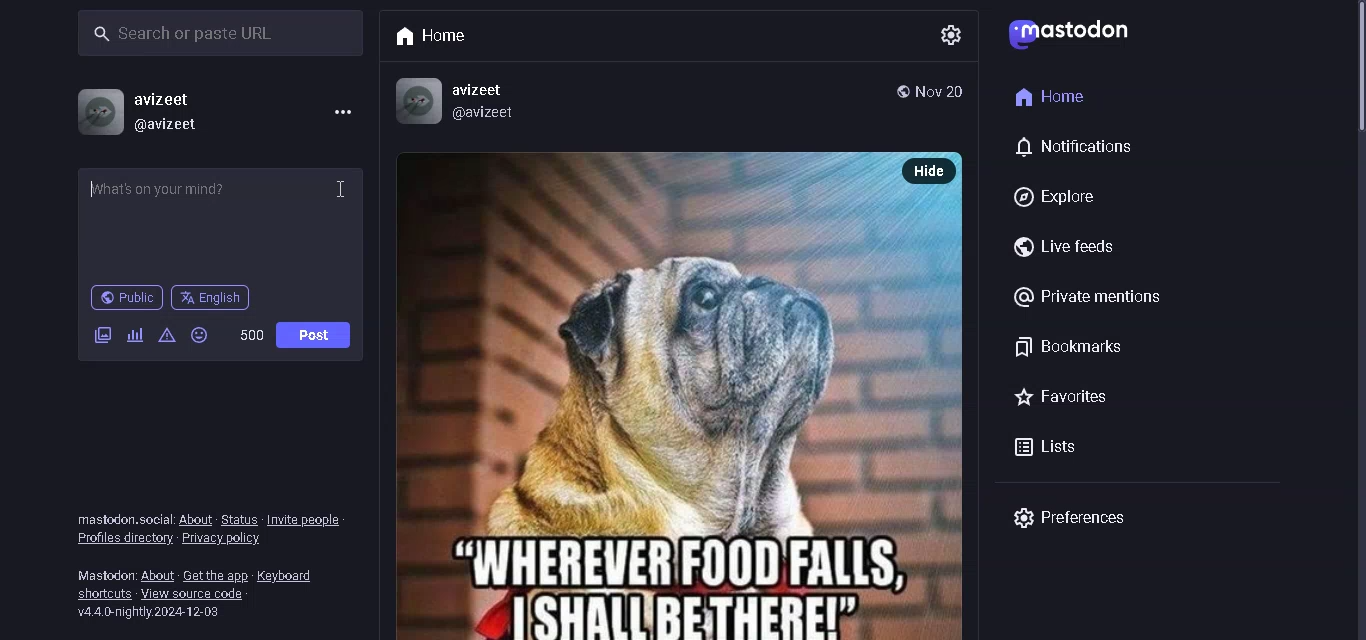 The height and width of the screenshot is (640, 1366). I want to click on view source code, so click(203, 595).